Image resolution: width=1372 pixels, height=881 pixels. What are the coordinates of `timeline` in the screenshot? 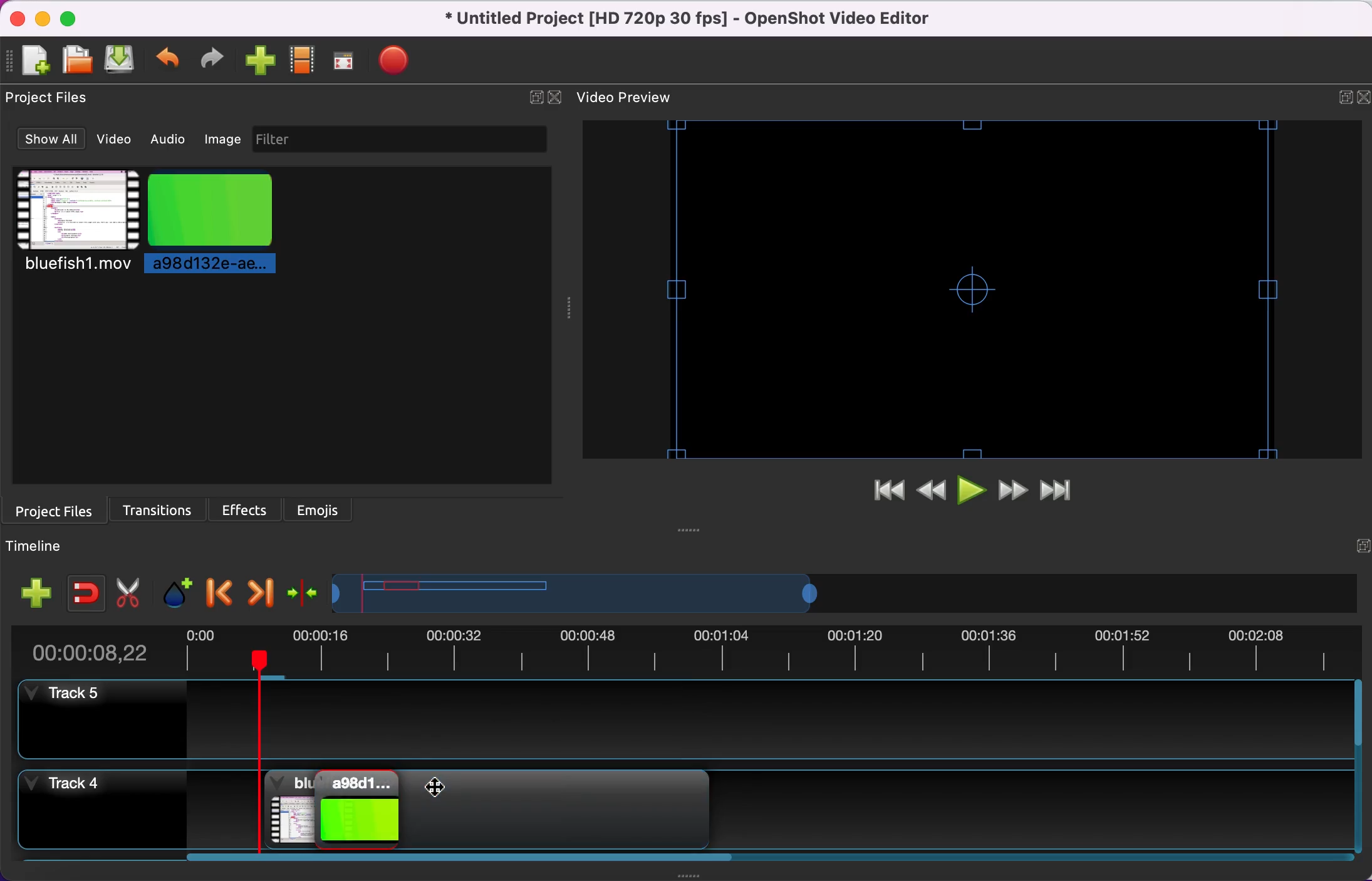 It's located at (46, 548).